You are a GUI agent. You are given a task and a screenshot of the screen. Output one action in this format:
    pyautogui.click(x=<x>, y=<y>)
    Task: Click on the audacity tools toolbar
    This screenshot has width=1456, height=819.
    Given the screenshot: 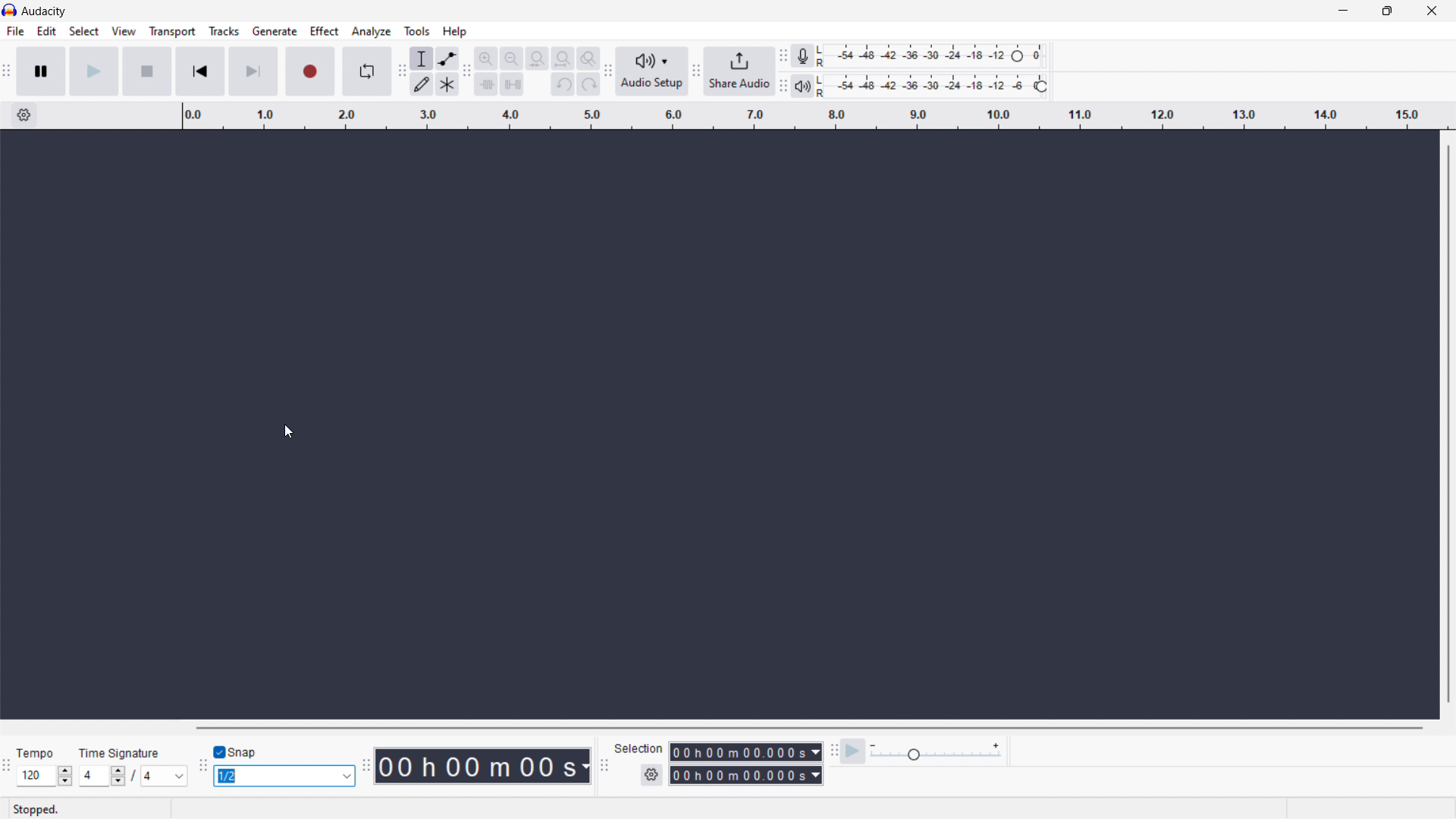 What is the action you would take?
    pyautogui.click(x=400, y=72)
    